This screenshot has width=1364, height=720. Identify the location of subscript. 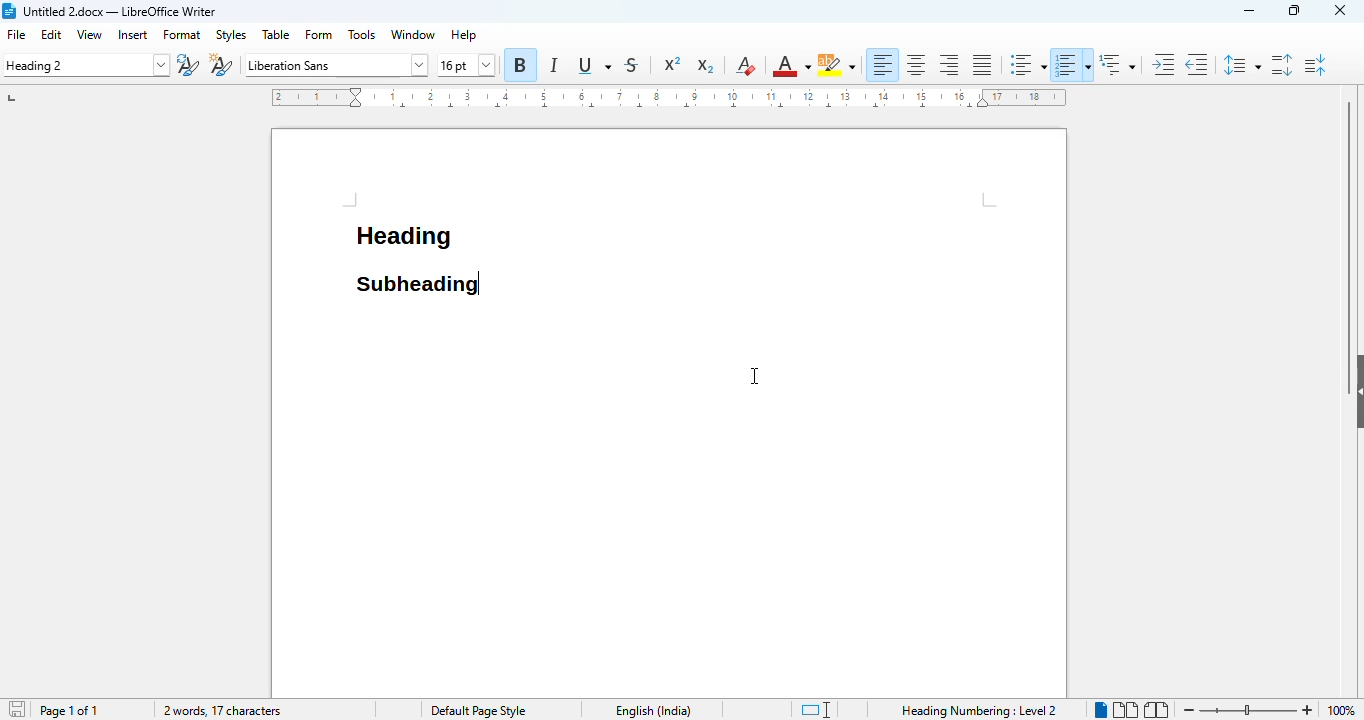
(707, 67).